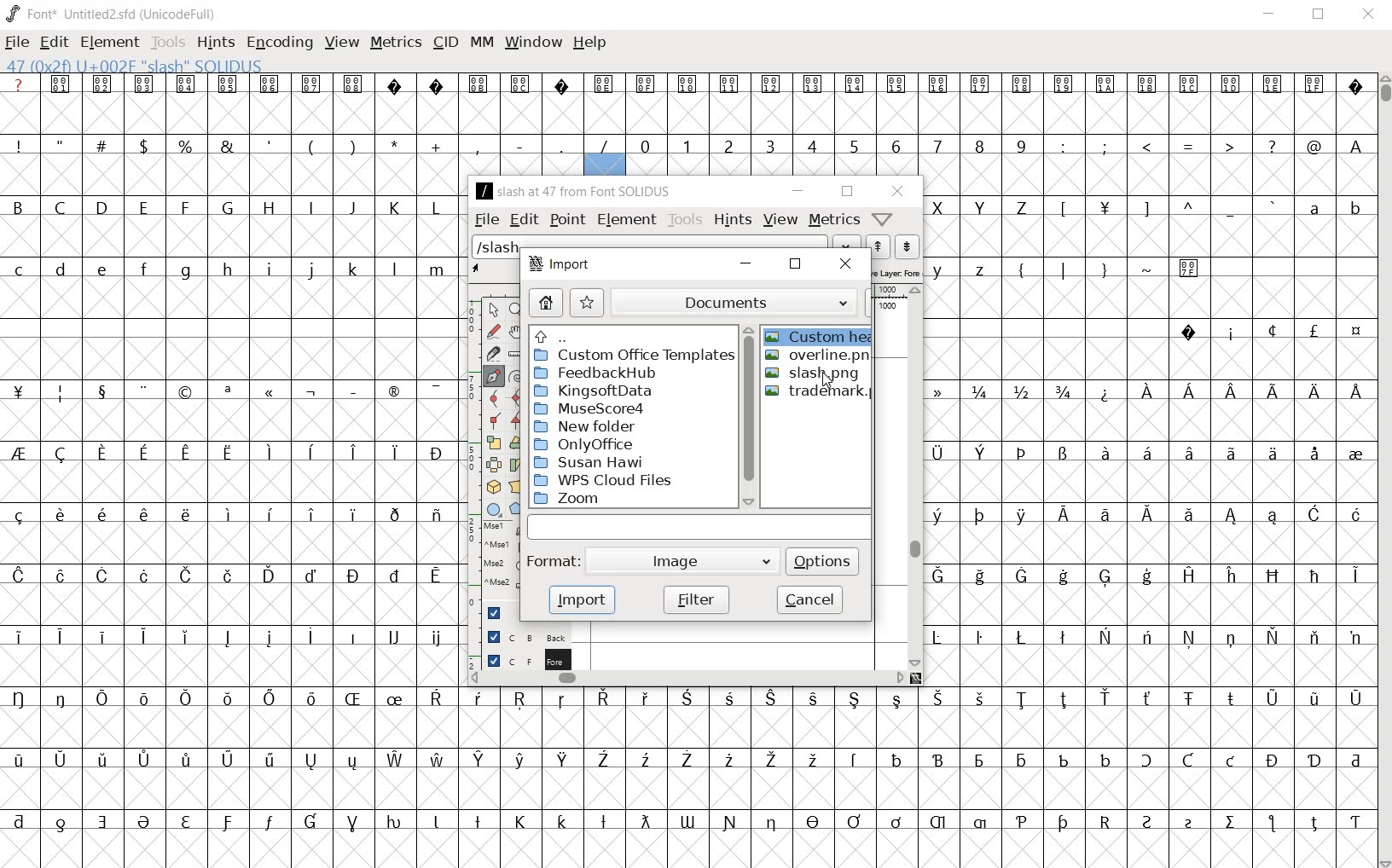 This screenshot has width=1392, height=868. What do you see at coordinates (1268, 16) in the screenshot?
I see `MINIMIZE` at bounding box center [1268, 16].